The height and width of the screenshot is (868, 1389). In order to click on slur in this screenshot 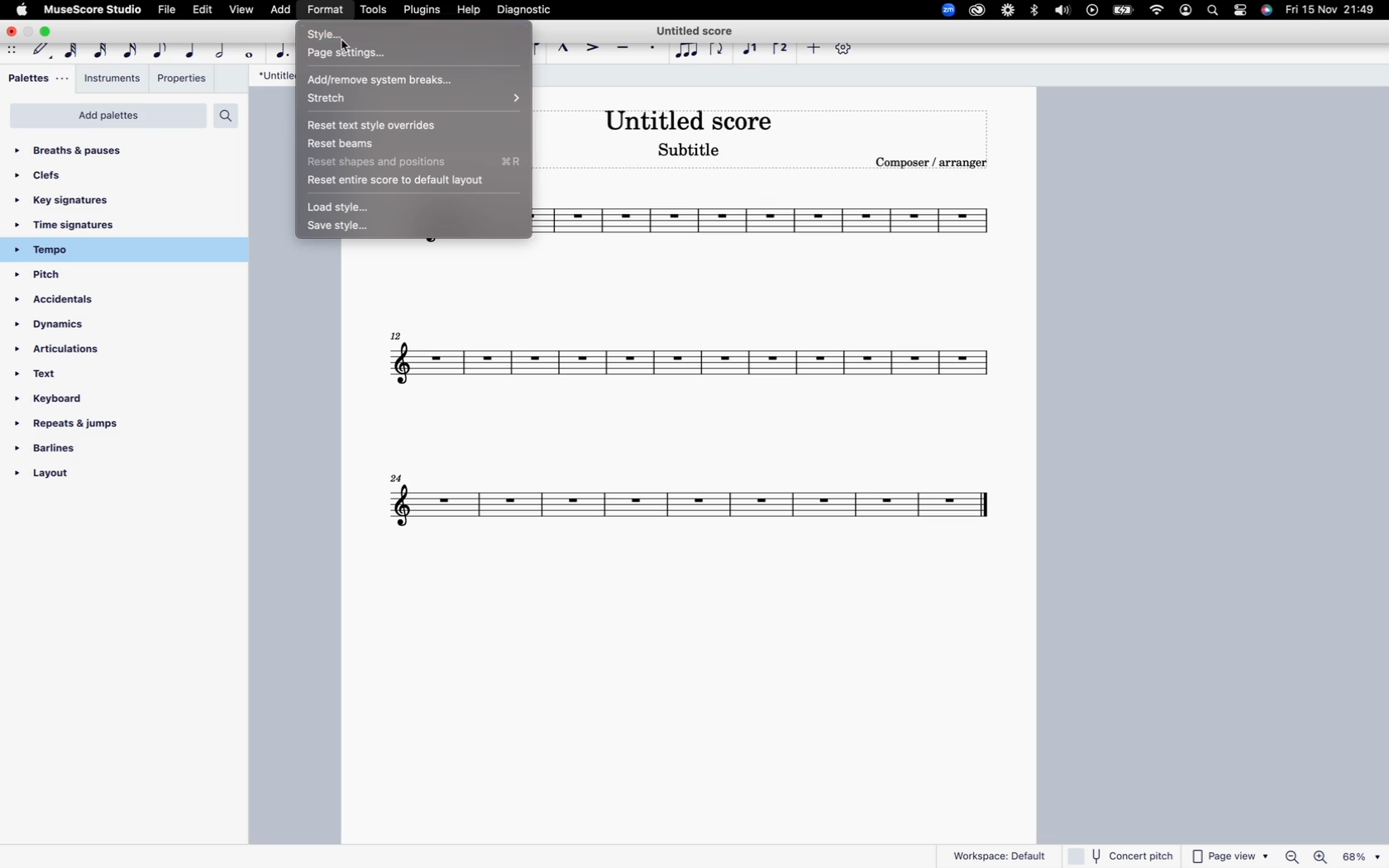, I will do `click(530, 48)`.